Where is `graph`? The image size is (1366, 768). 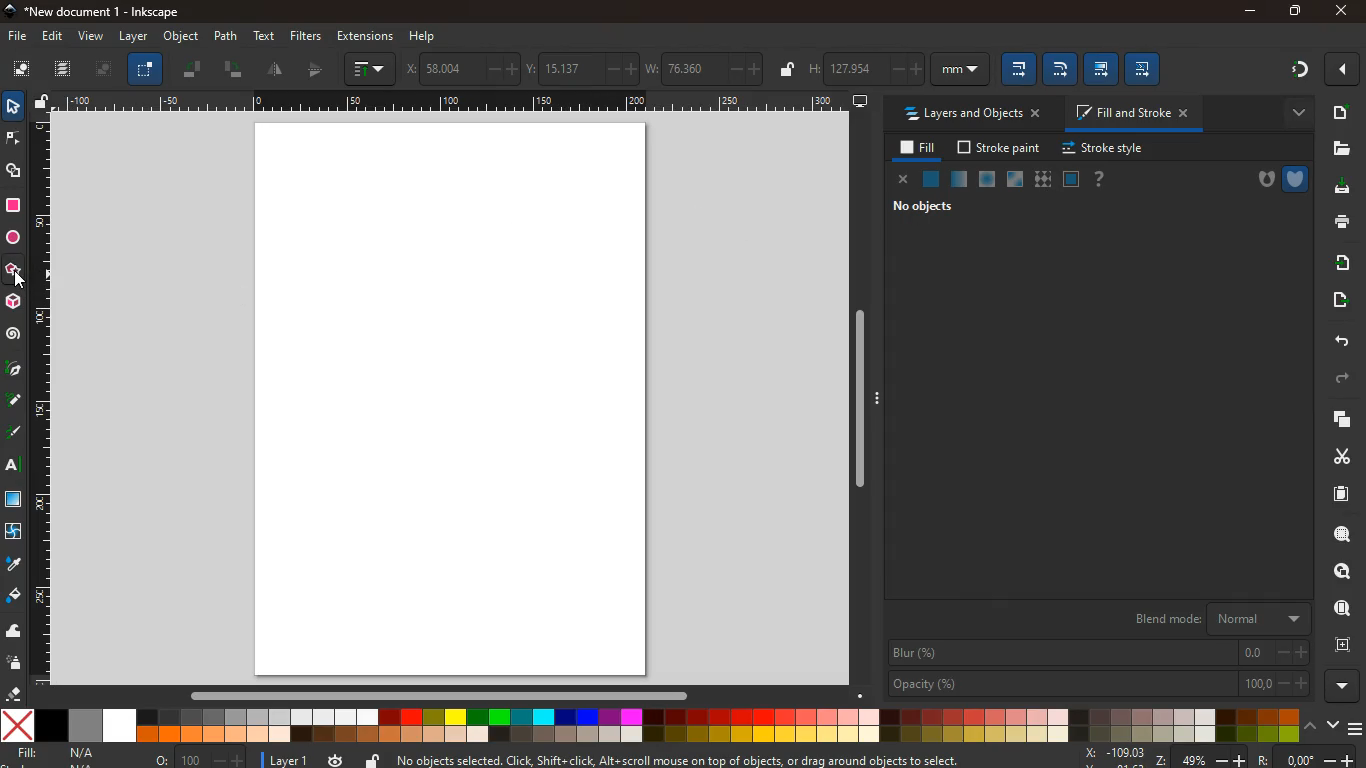
graph is located at coordinates (368, 69).